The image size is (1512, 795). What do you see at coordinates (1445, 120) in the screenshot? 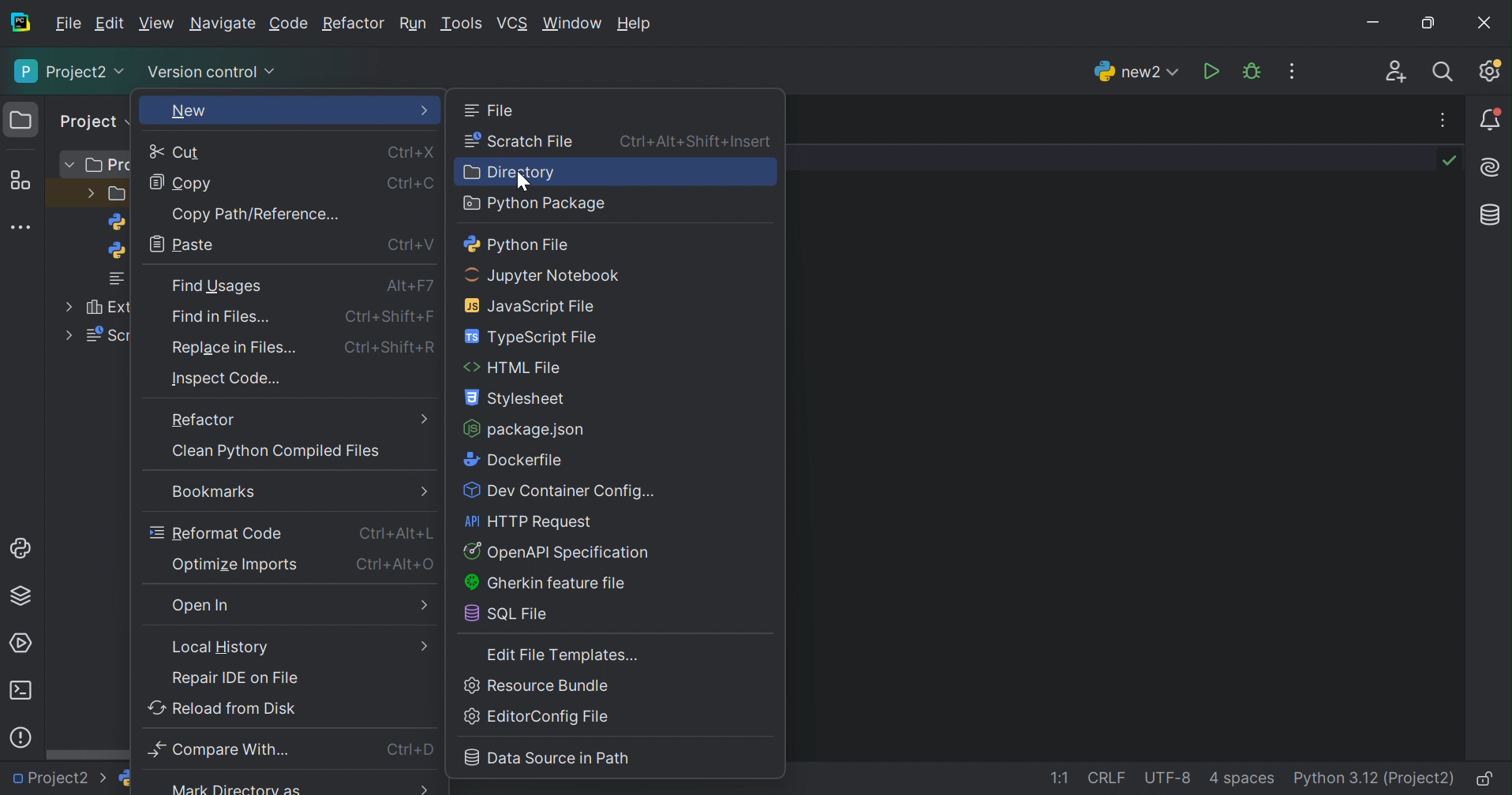
I see `Recent file, tab actions, and more` at bounding box center [1445, 120].